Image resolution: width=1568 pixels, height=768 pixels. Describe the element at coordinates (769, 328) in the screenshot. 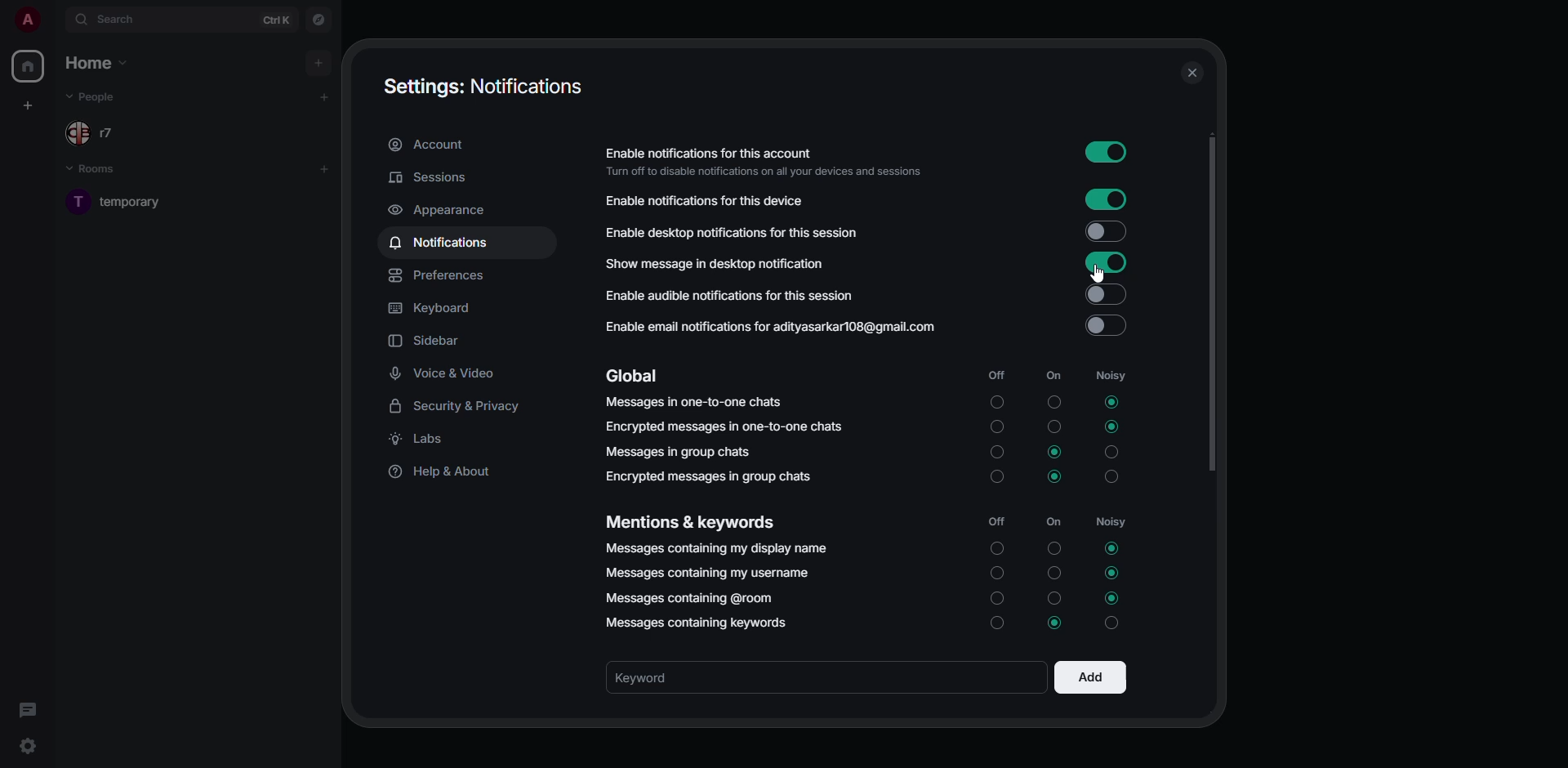

I see `enable email notifications` at that location.